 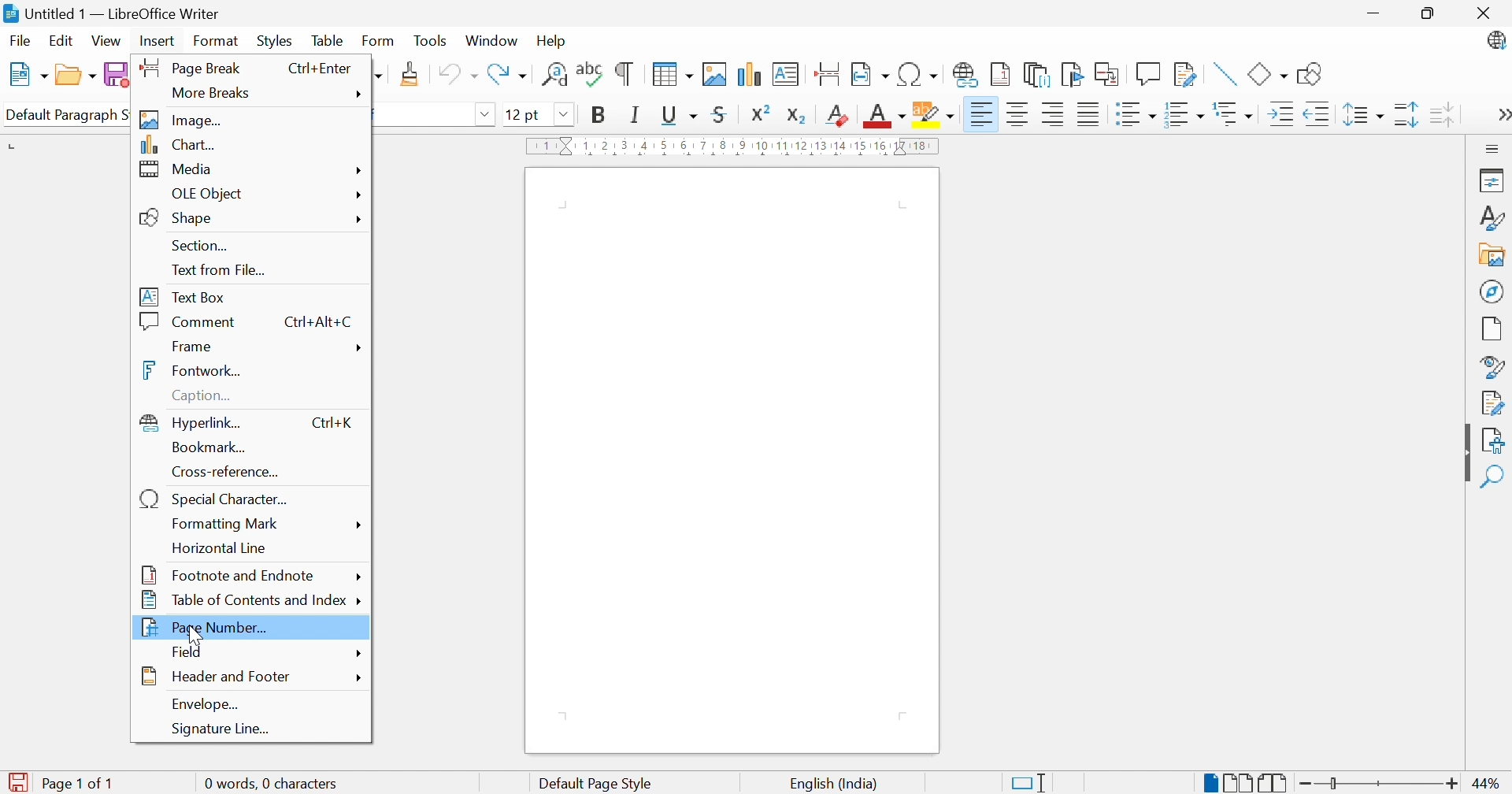 I want to click on Manage changes, so click(x=1493, y=403).